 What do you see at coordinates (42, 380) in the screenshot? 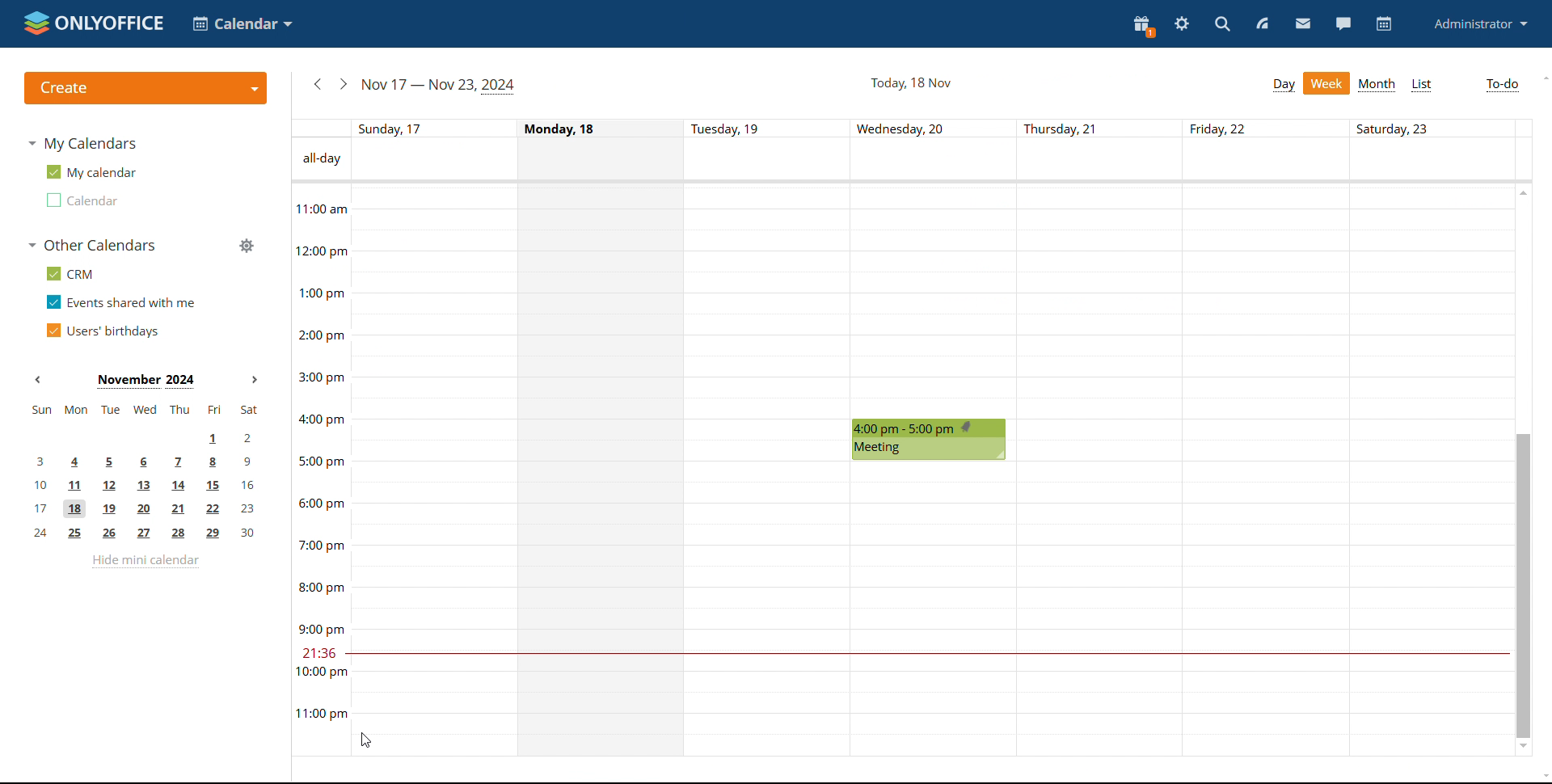
I see `previous month` at bounding box center [42, 380].